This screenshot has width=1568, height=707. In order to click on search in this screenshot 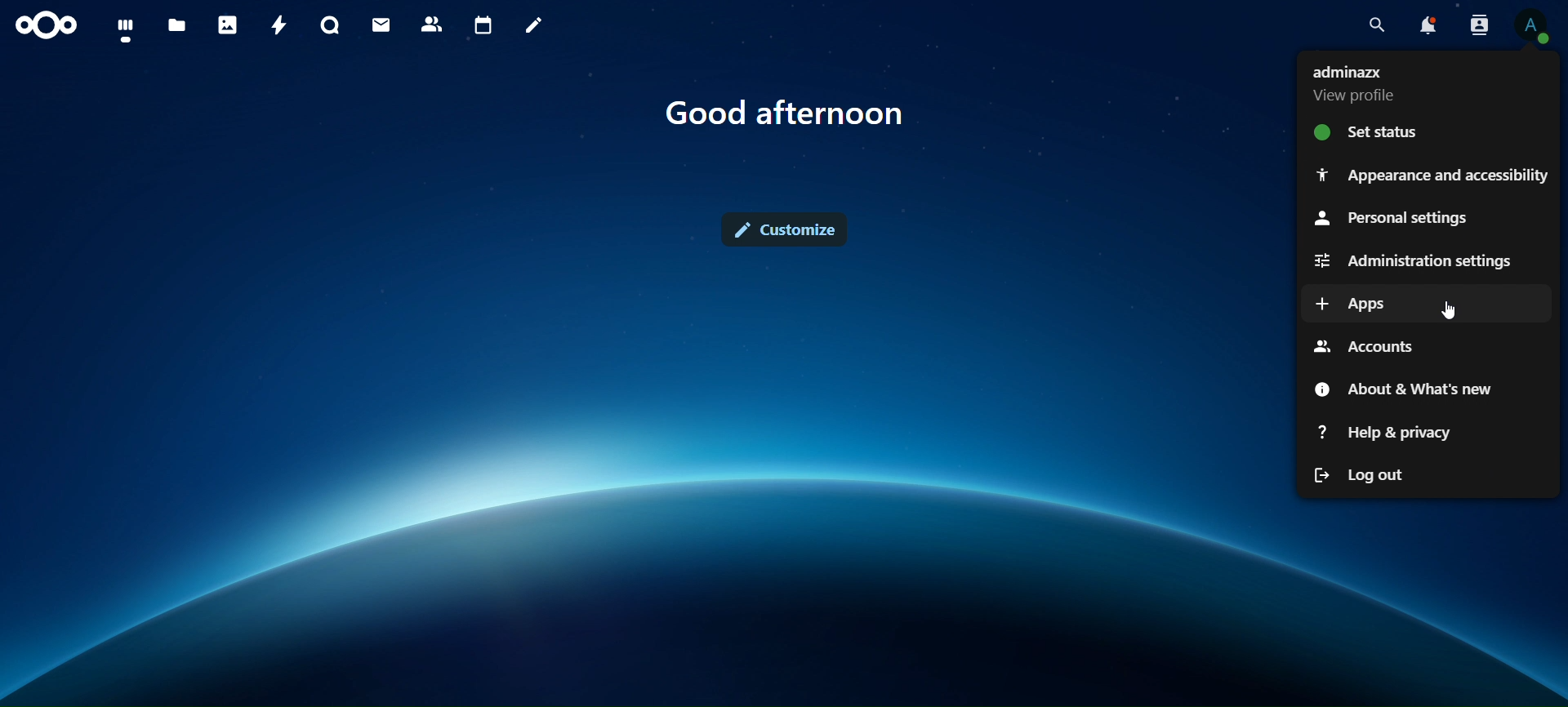, I will do `click(1377, 25)`.